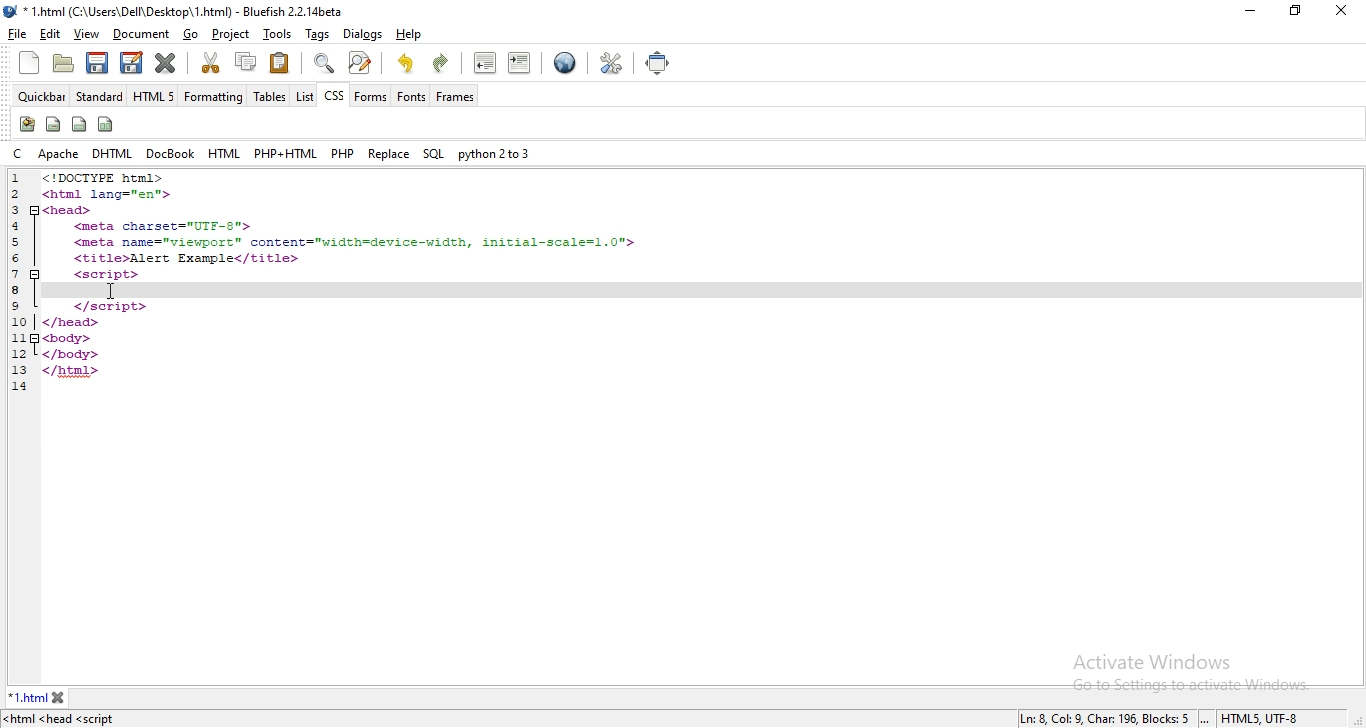  Describe the element at coordinates (15, 305) in the screenshot. I see `9` at that location.